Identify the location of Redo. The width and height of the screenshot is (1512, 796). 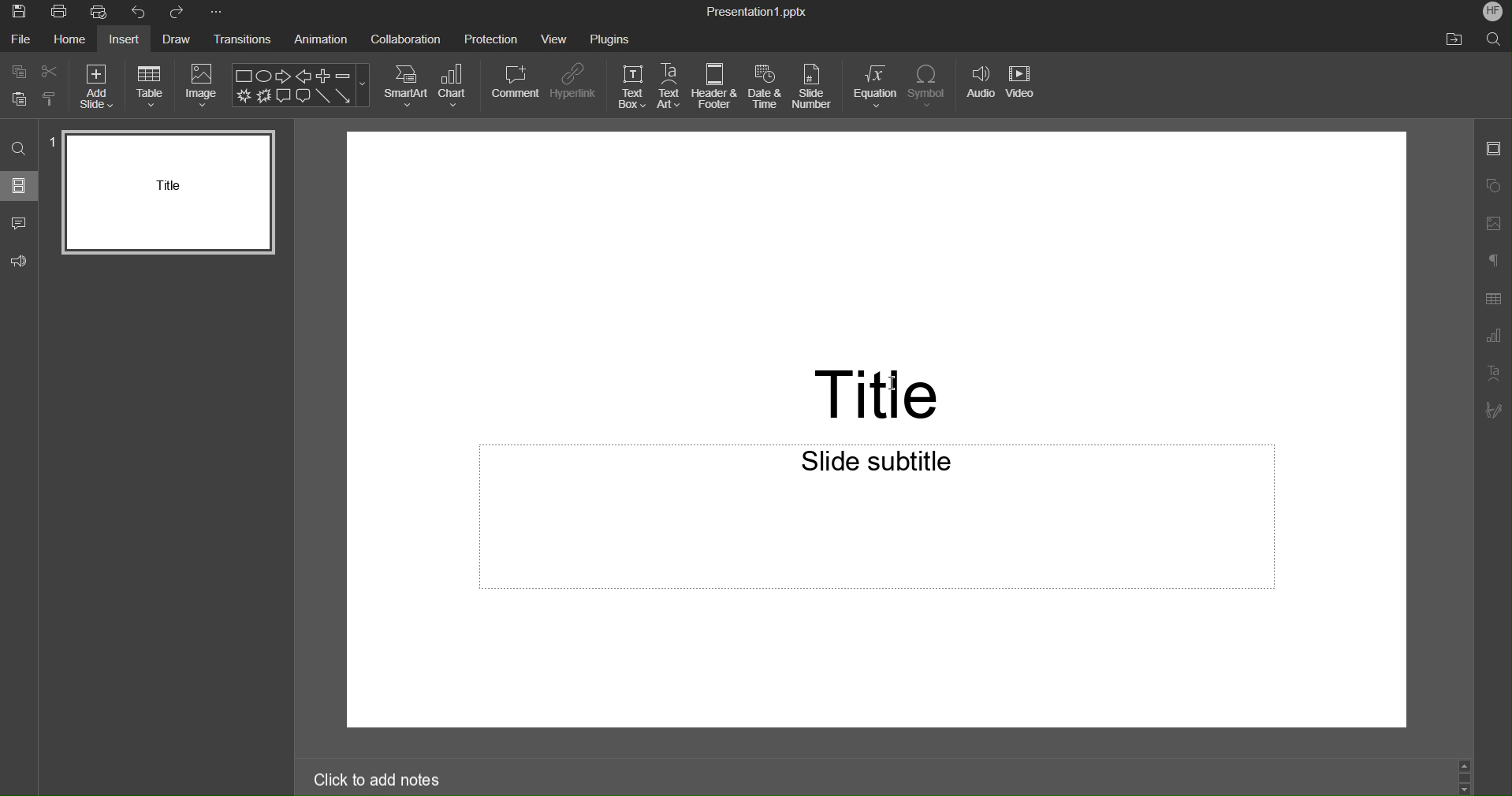
(180, 13).